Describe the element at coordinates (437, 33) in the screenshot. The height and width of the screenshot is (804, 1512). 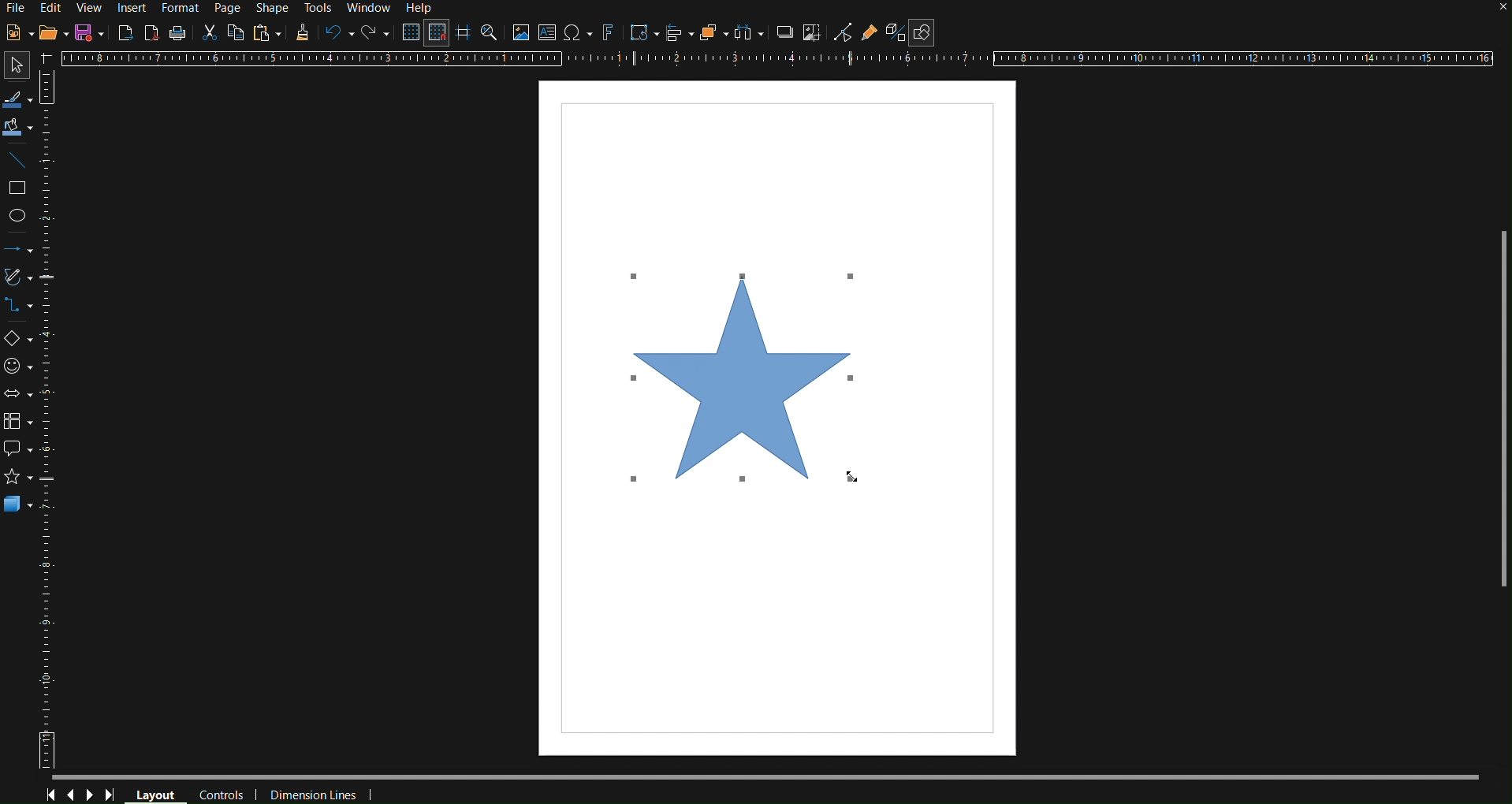
I see `Snap to Grid` at that location.